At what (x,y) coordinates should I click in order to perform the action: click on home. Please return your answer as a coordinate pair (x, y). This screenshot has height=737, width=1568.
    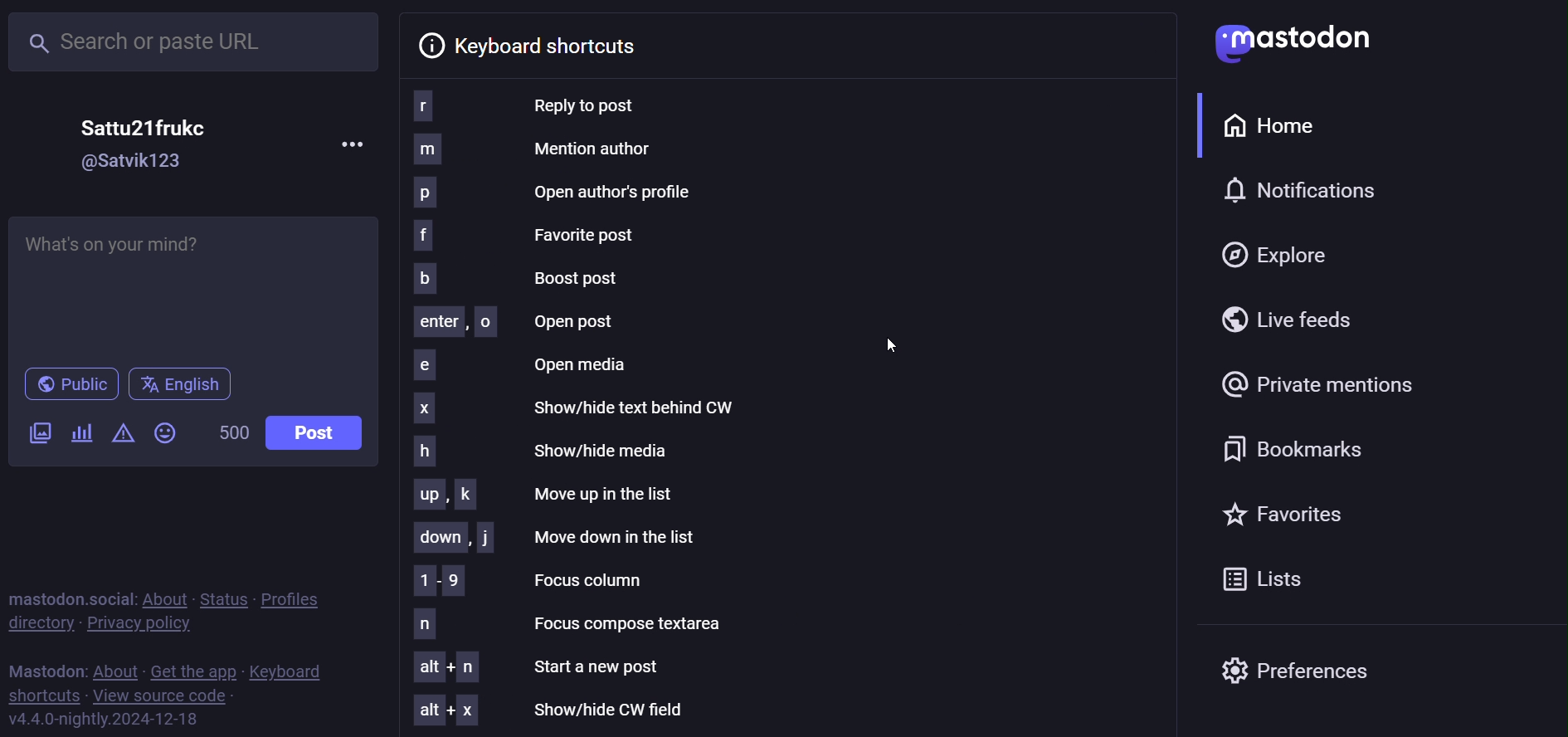
    Looking at the image, I should click on (1276, 125).